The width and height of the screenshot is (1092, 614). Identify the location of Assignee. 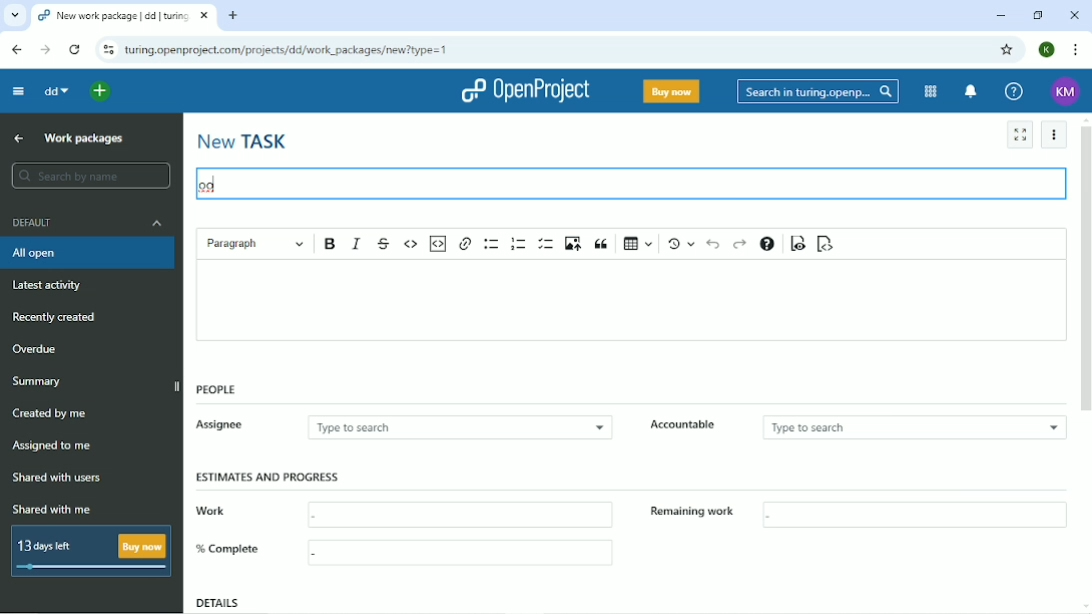
(228, 426).